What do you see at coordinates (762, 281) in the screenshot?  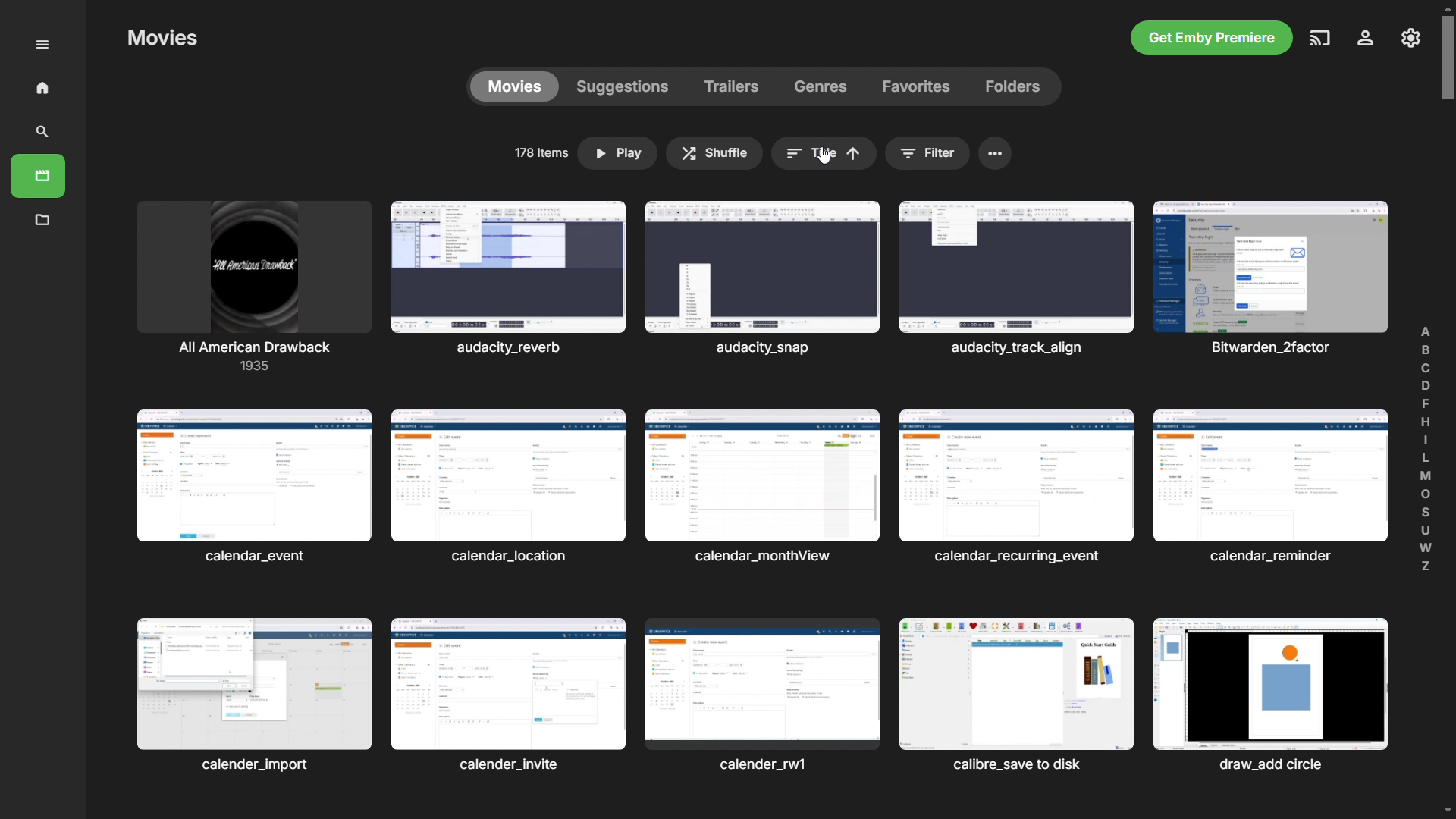 I see `` at bounding box center [762, 281].